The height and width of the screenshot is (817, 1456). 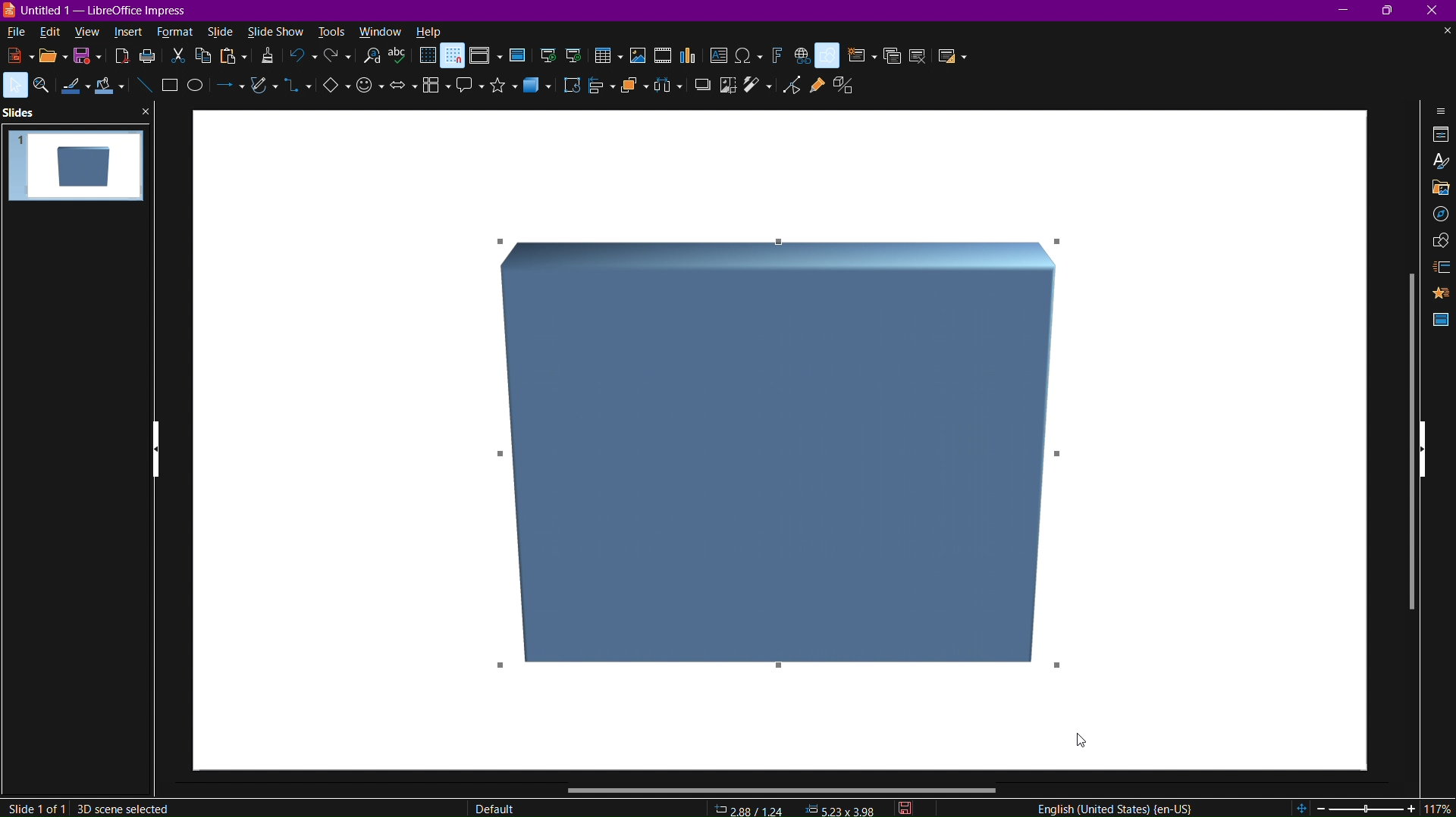 What do you see at coordinates (1423, 450) in the screenshot?
I see `hide` at bounding box center [1423, 450].